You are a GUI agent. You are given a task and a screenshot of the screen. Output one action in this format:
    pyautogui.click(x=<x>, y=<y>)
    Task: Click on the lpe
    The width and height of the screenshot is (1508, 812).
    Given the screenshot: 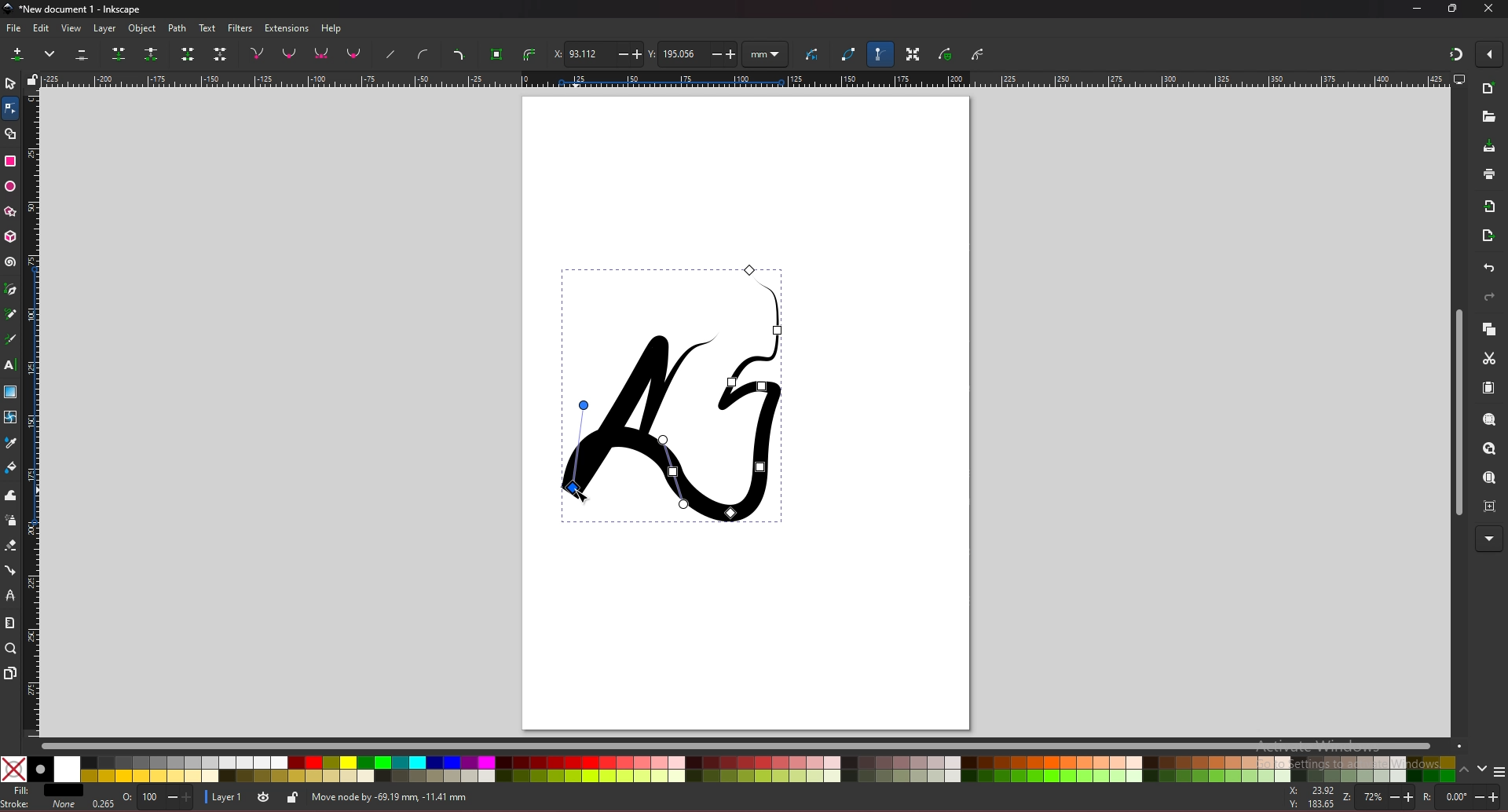 What is the action you would take?
    pyautogui.click(x=12, y=596)
    